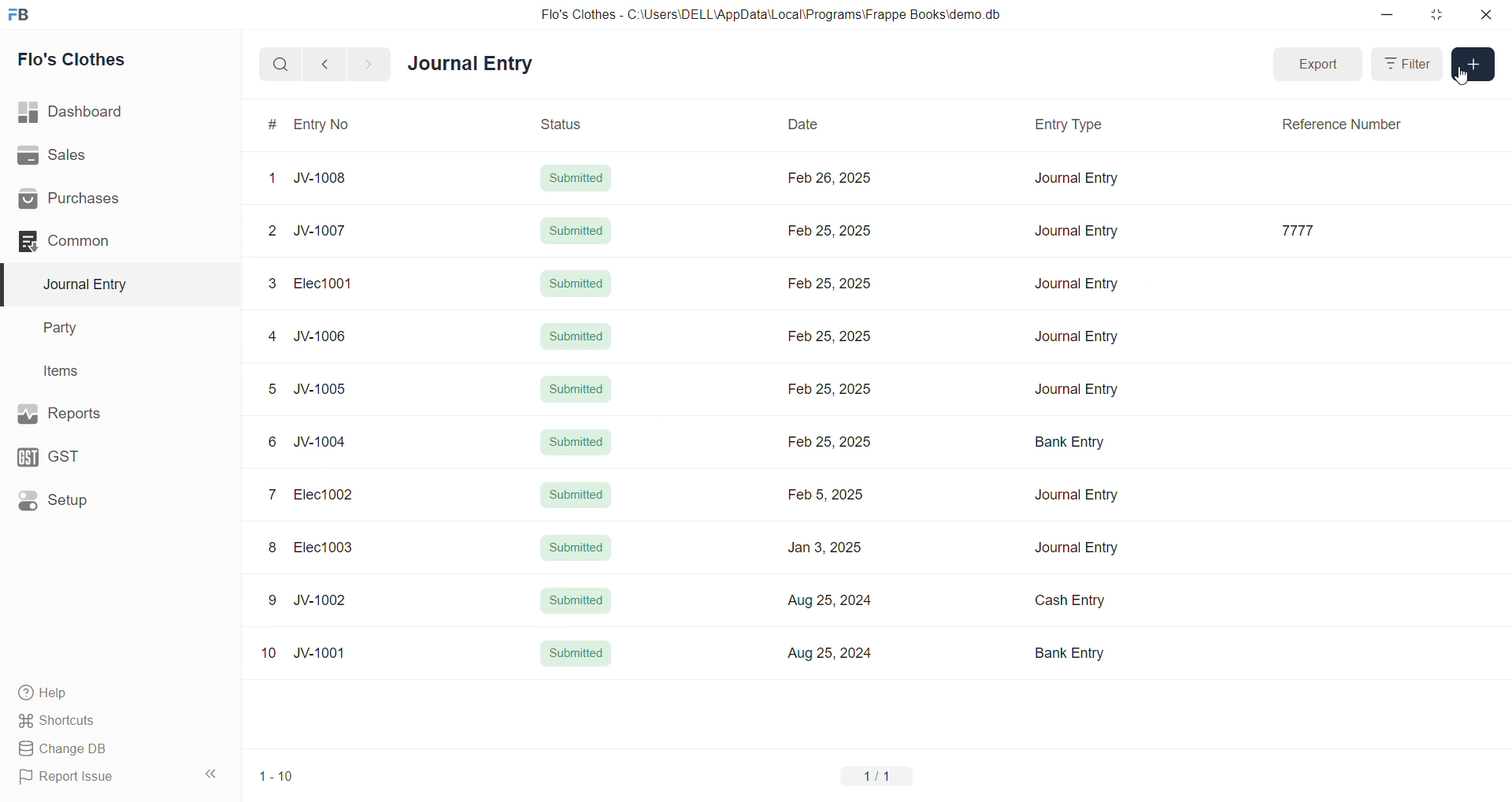 The image size is (1512, 802). Describe the element at coordinates (1074, 286) in the screenshot. I see `Journal Entry` at that location.